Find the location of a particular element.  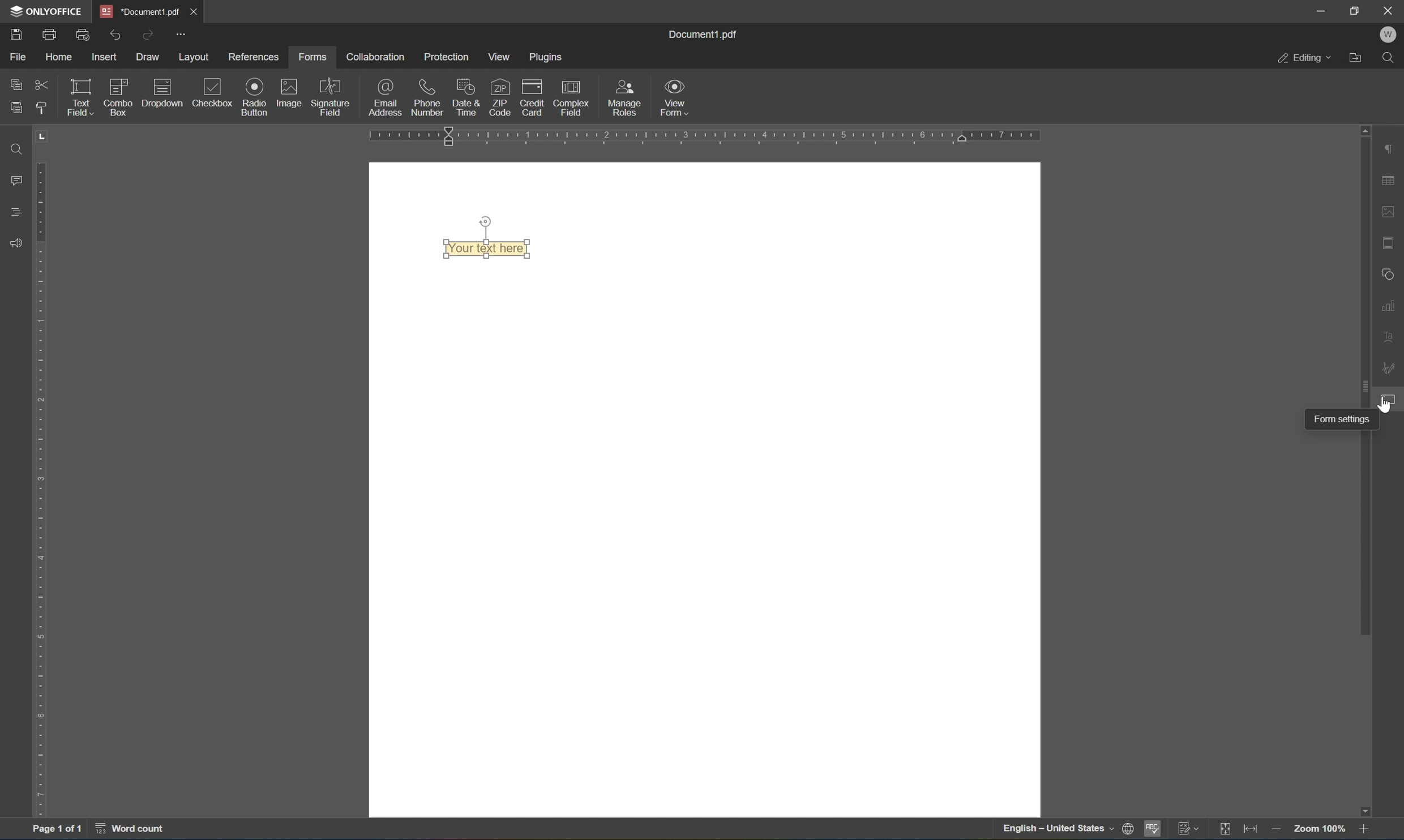

ruler is located at coordinates (707, 134).